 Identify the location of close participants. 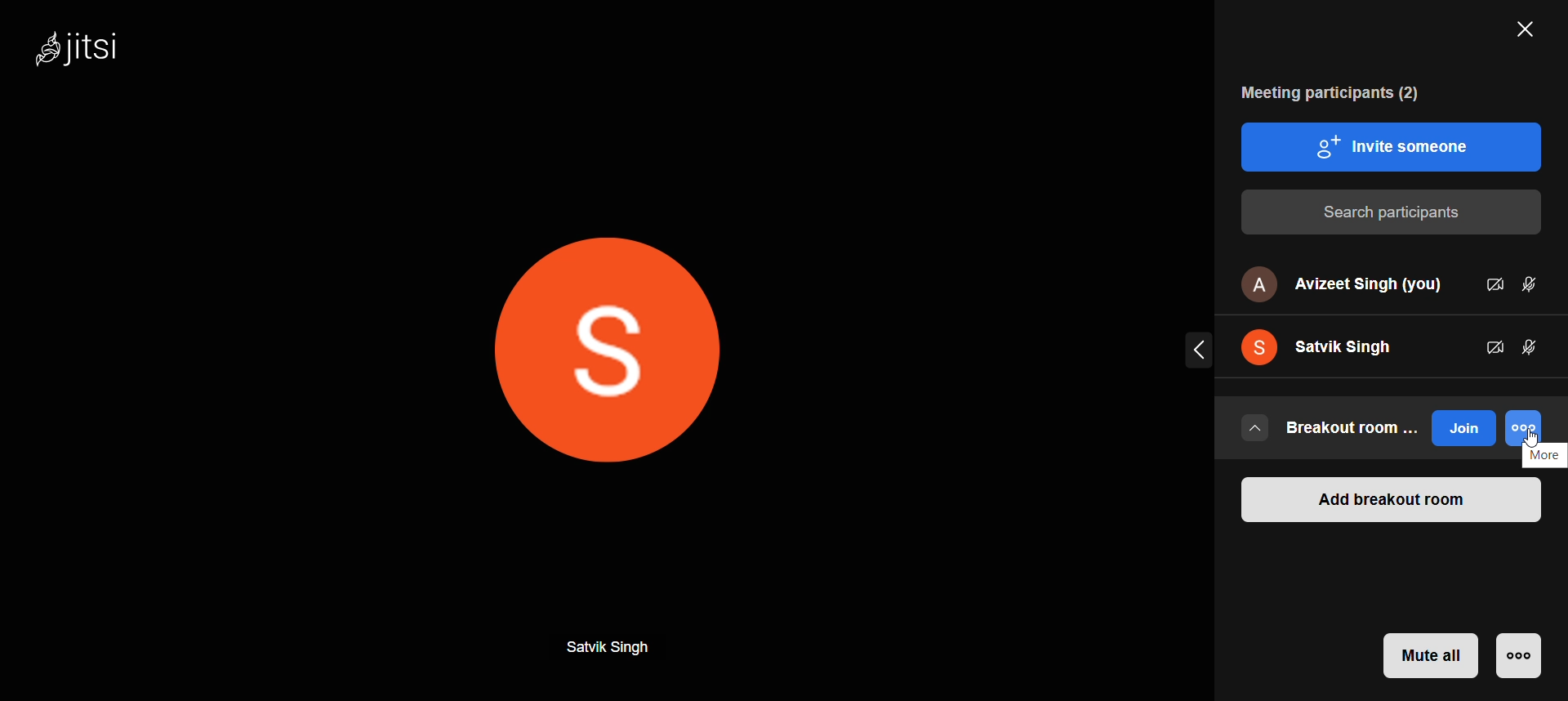
(1521, 33).